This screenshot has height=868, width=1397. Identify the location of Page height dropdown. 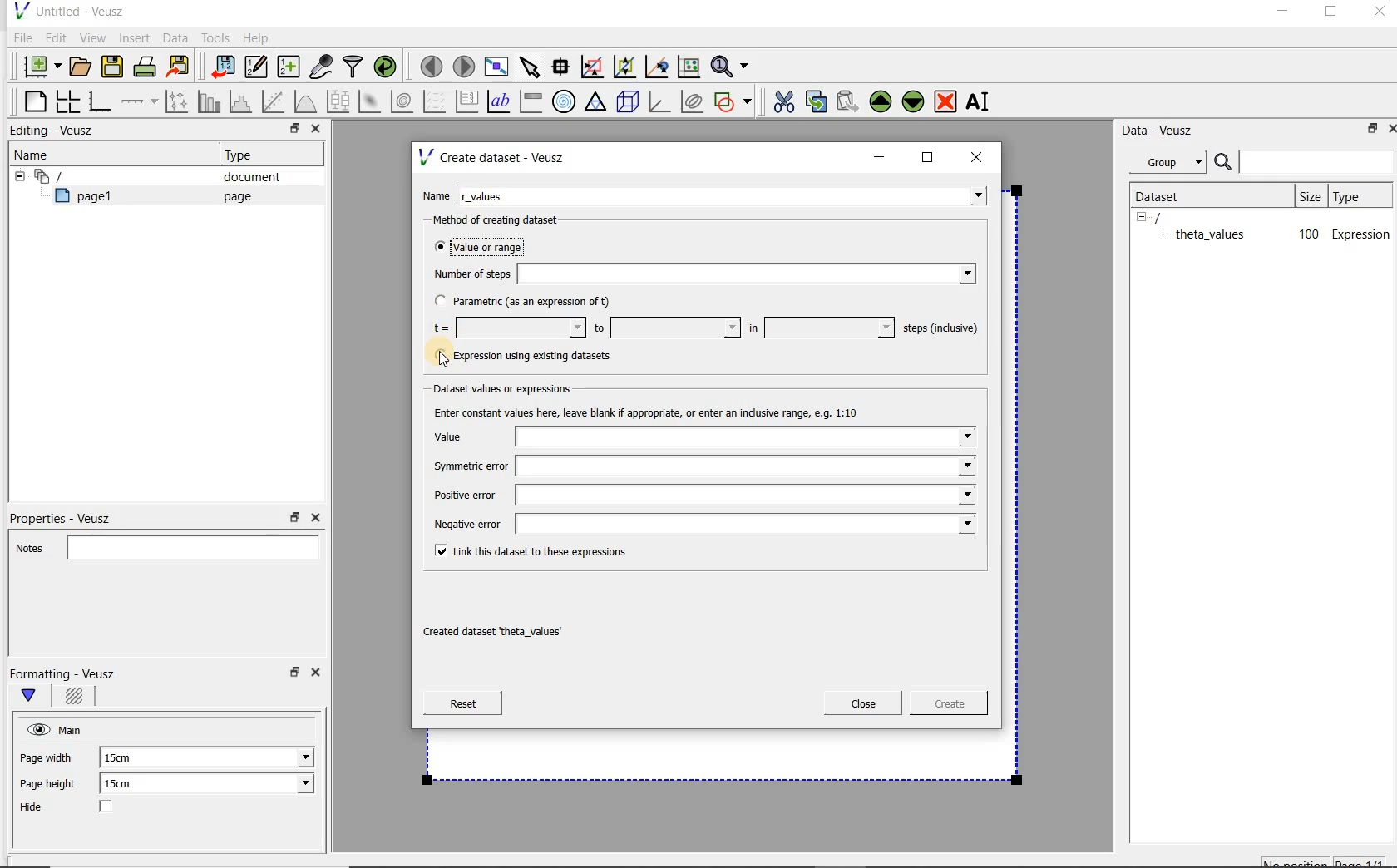
(294, 785).